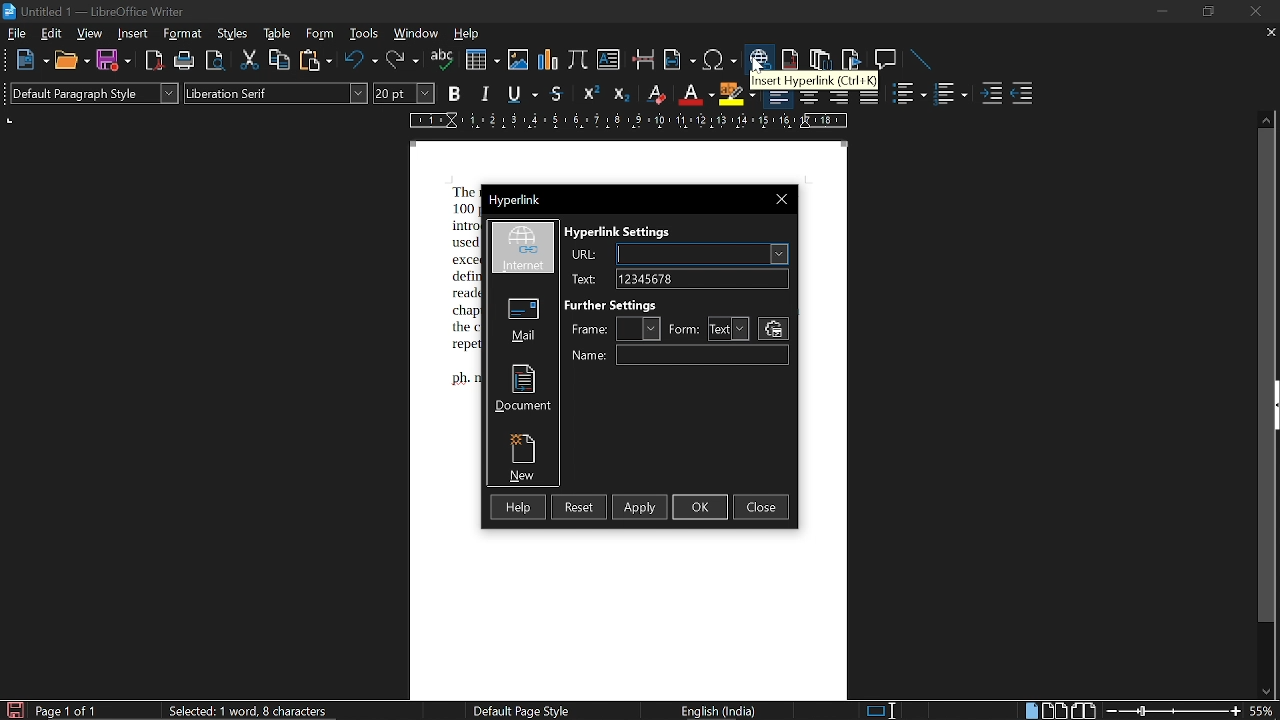  Describe the element at coordinates (885, 59) in the screenshot. I see `insert comment` at that location.